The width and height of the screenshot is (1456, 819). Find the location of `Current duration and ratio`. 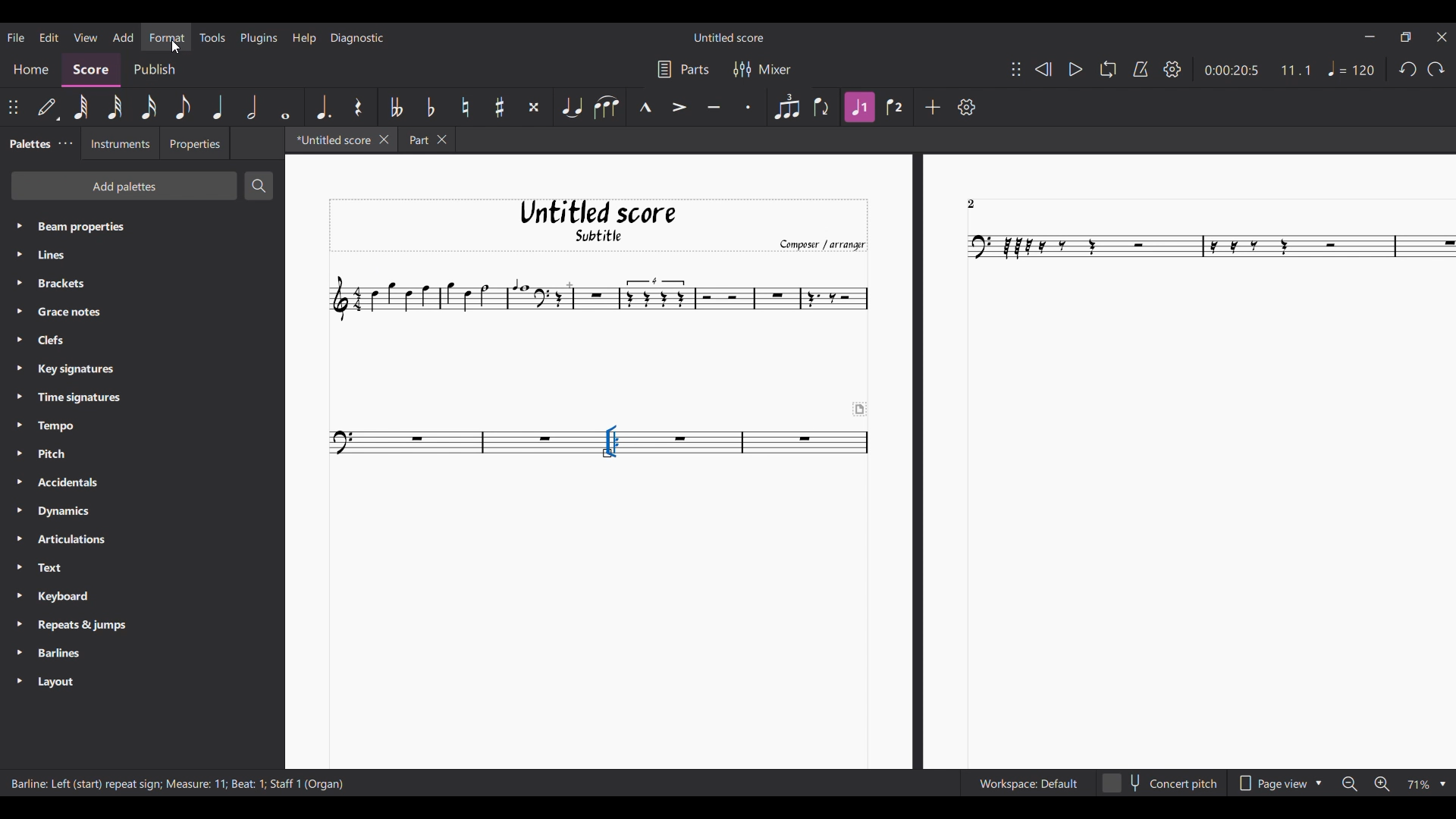

Current duration and ratio is located at coordinates (1258, 71).